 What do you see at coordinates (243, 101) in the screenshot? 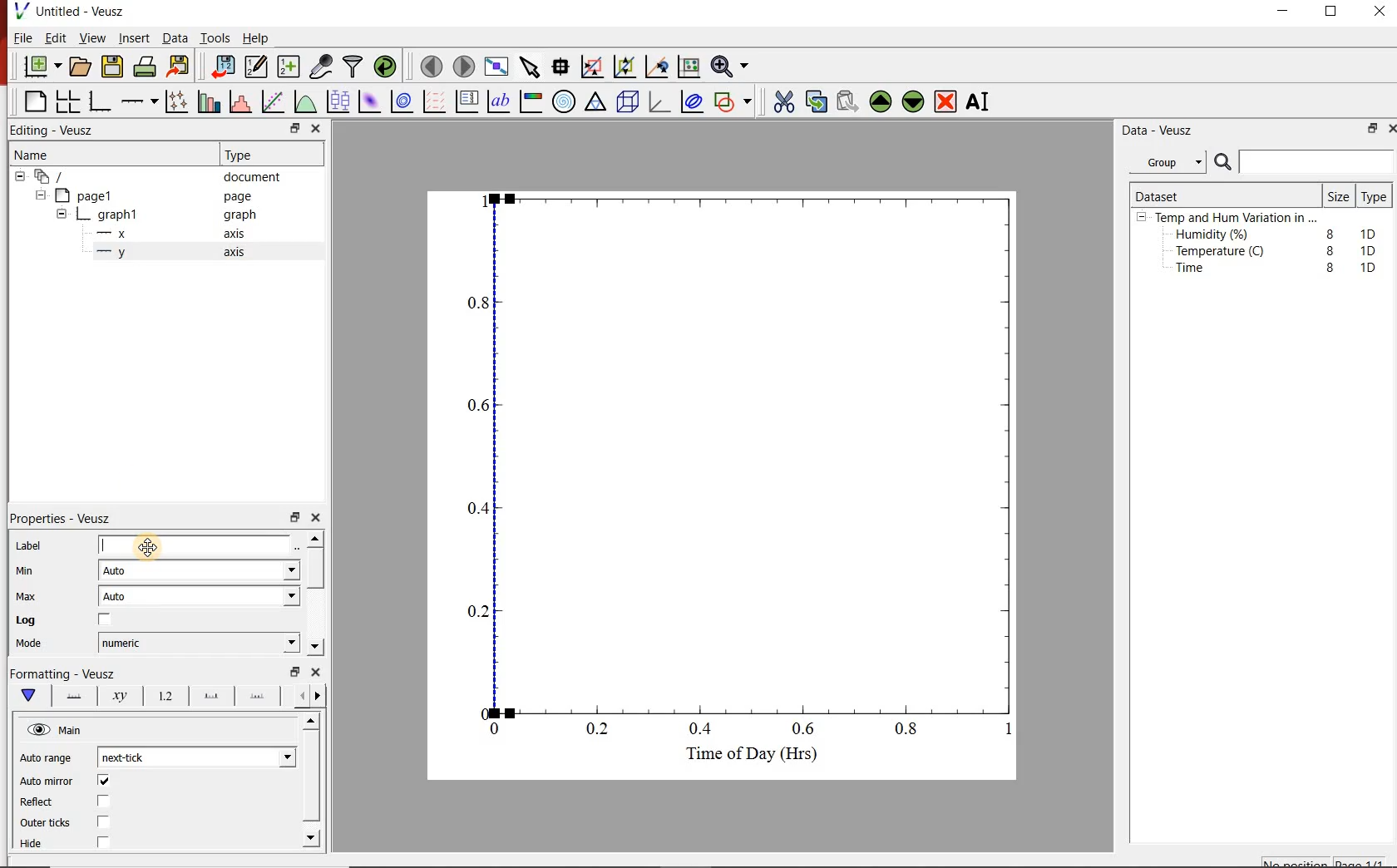
I see `histogram of a dataset` at bounding box center [243, 101].